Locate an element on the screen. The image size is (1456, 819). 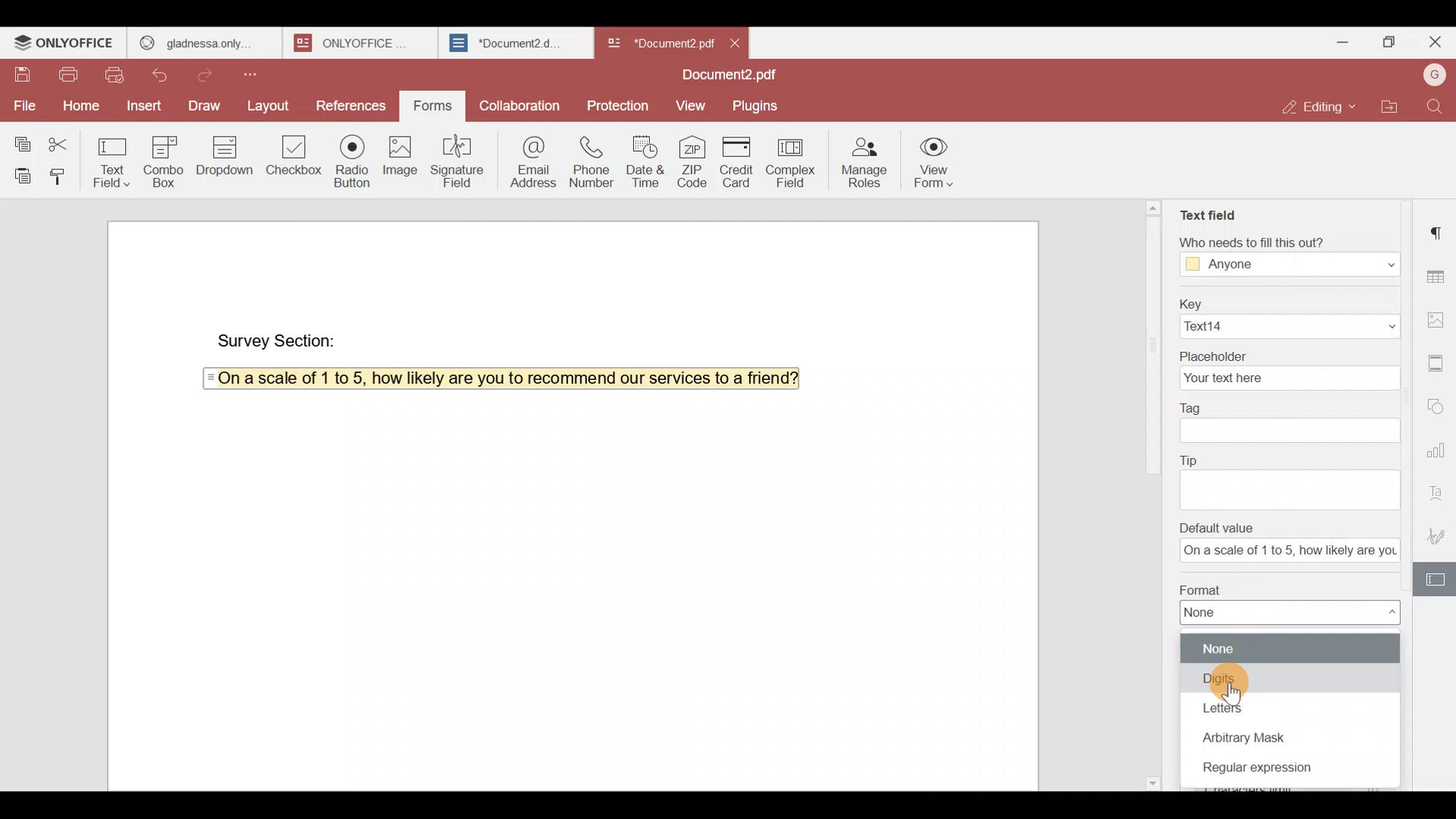
Insert is located at coordinates (144, 109).